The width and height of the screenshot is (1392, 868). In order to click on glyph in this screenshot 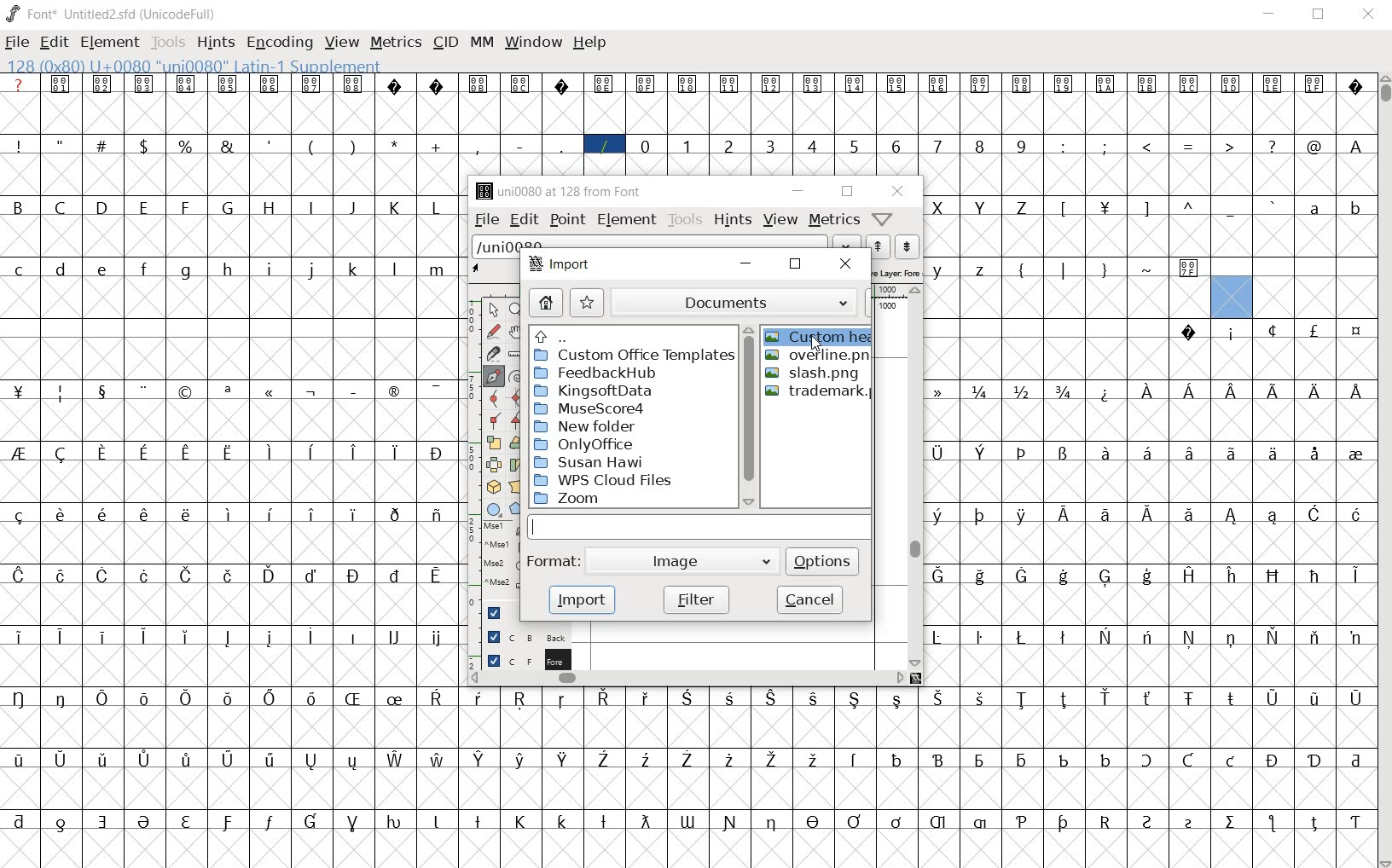, I will do `click(1189, 84)`.